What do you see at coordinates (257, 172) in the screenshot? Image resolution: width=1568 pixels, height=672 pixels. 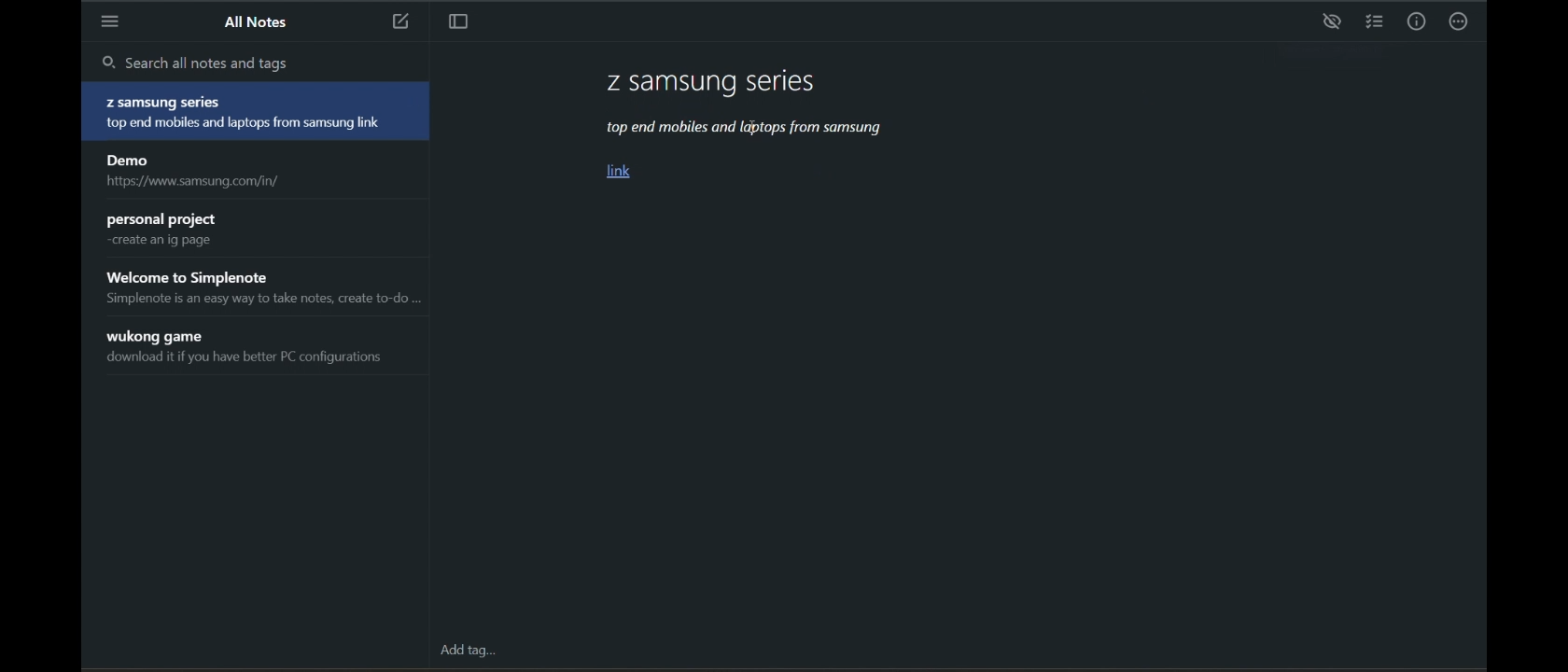 I see `Demo https://www.samsung.com/in/` at bounding box center [257, 172].